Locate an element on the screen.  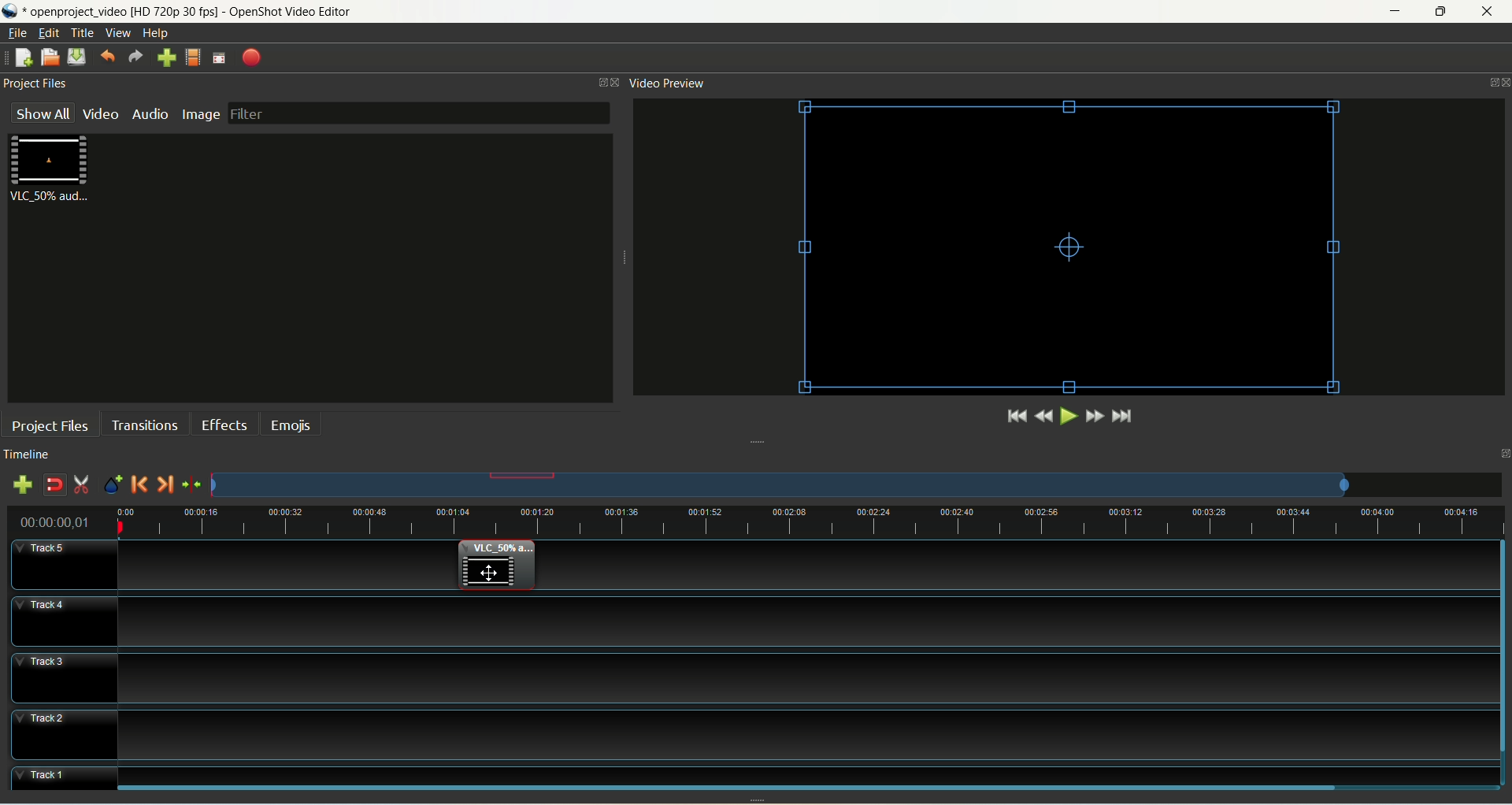
track4 is located at coordinates (63, 621).